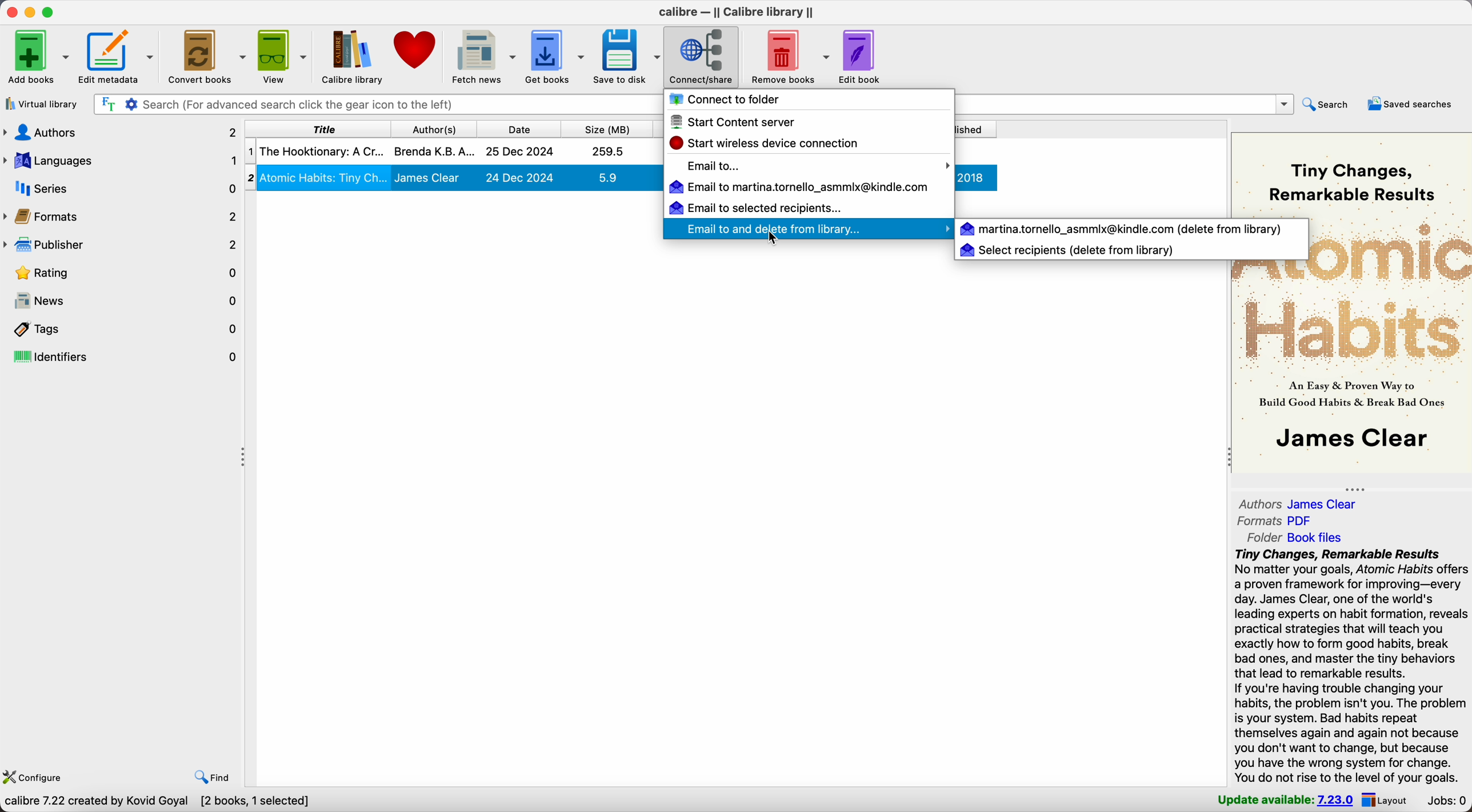 Image resolution: width=1472 pixels, height=812 pixels. What do you see at coordinates (1411, 105) in the screenshot?
I see `saved searches` at bounding box center [1411, 105].